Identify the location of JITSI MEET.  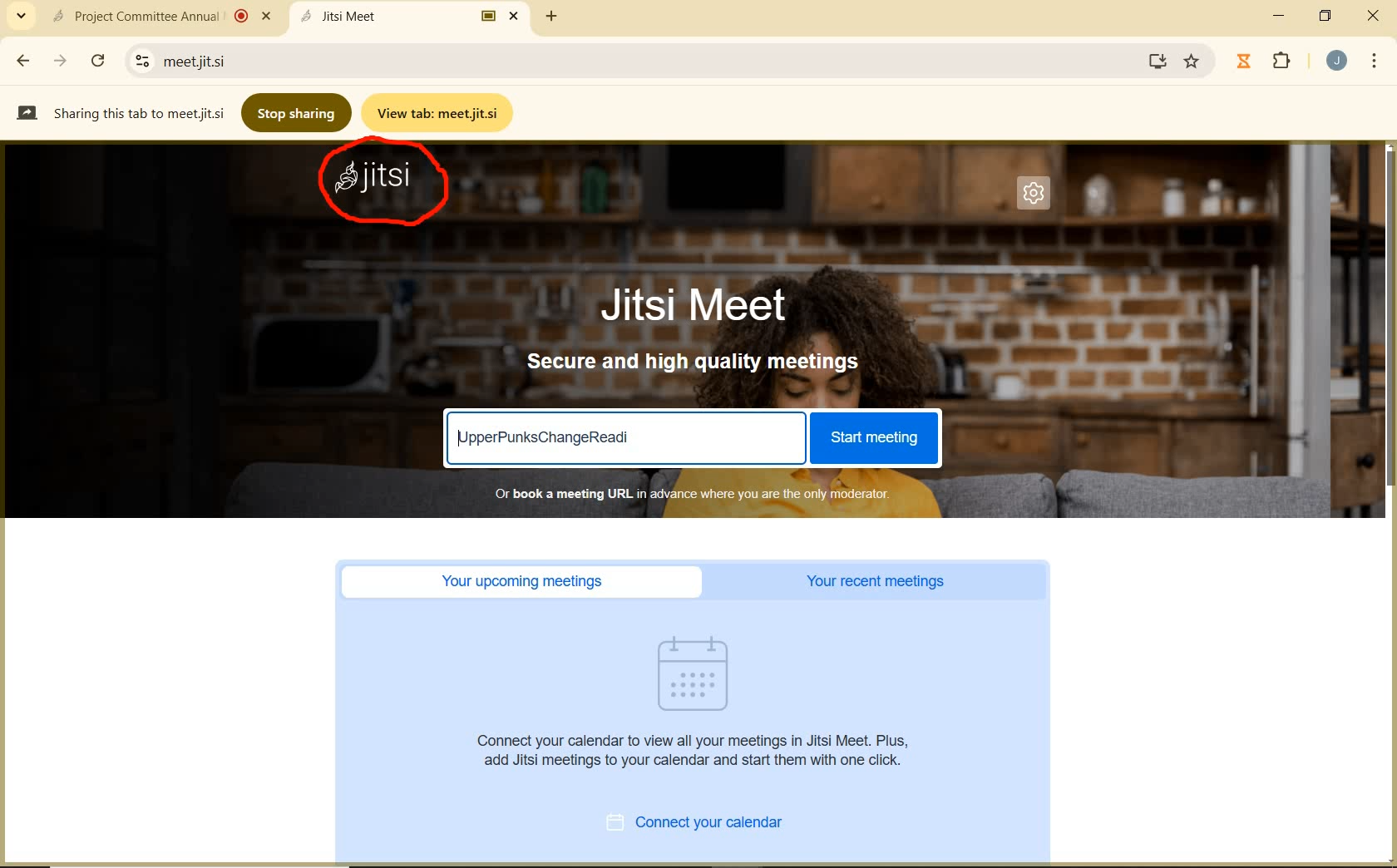
(708, 303).